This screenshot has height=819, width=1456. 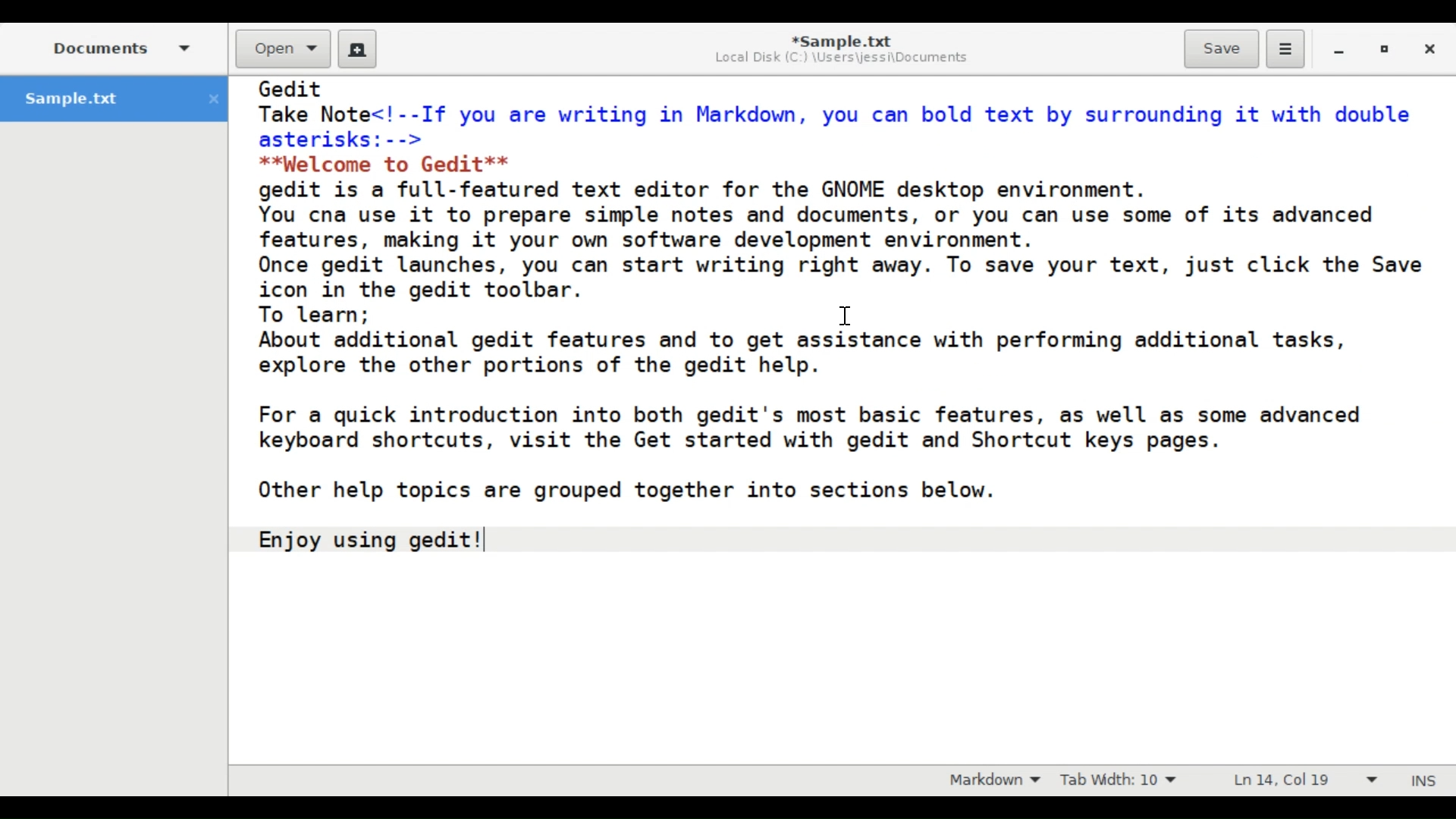 I want to click on Save, so click(x=1221, y=48).